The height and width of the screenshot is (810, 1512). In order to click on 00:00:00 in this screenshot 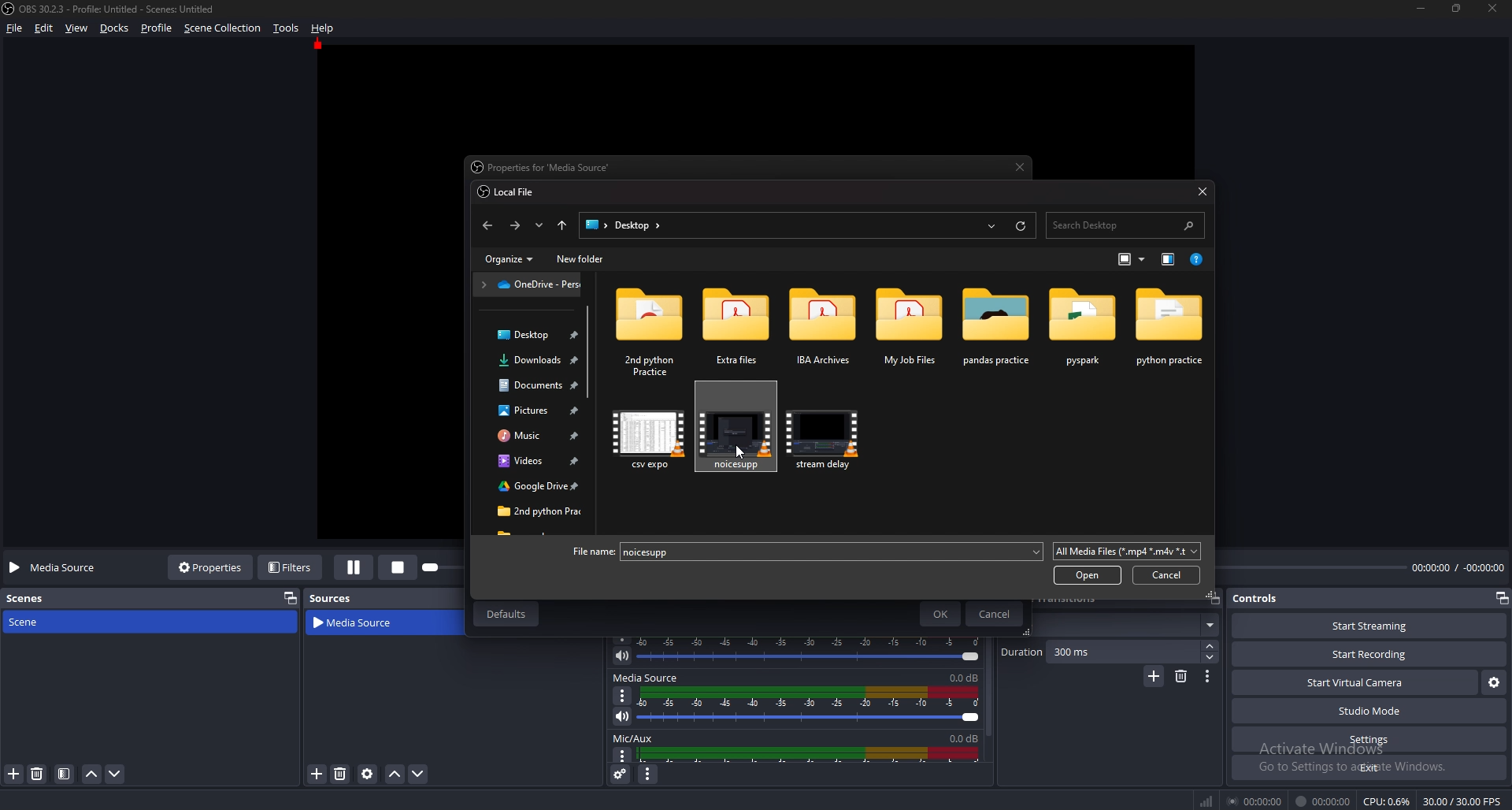, I will do `click(1323, 801)`.